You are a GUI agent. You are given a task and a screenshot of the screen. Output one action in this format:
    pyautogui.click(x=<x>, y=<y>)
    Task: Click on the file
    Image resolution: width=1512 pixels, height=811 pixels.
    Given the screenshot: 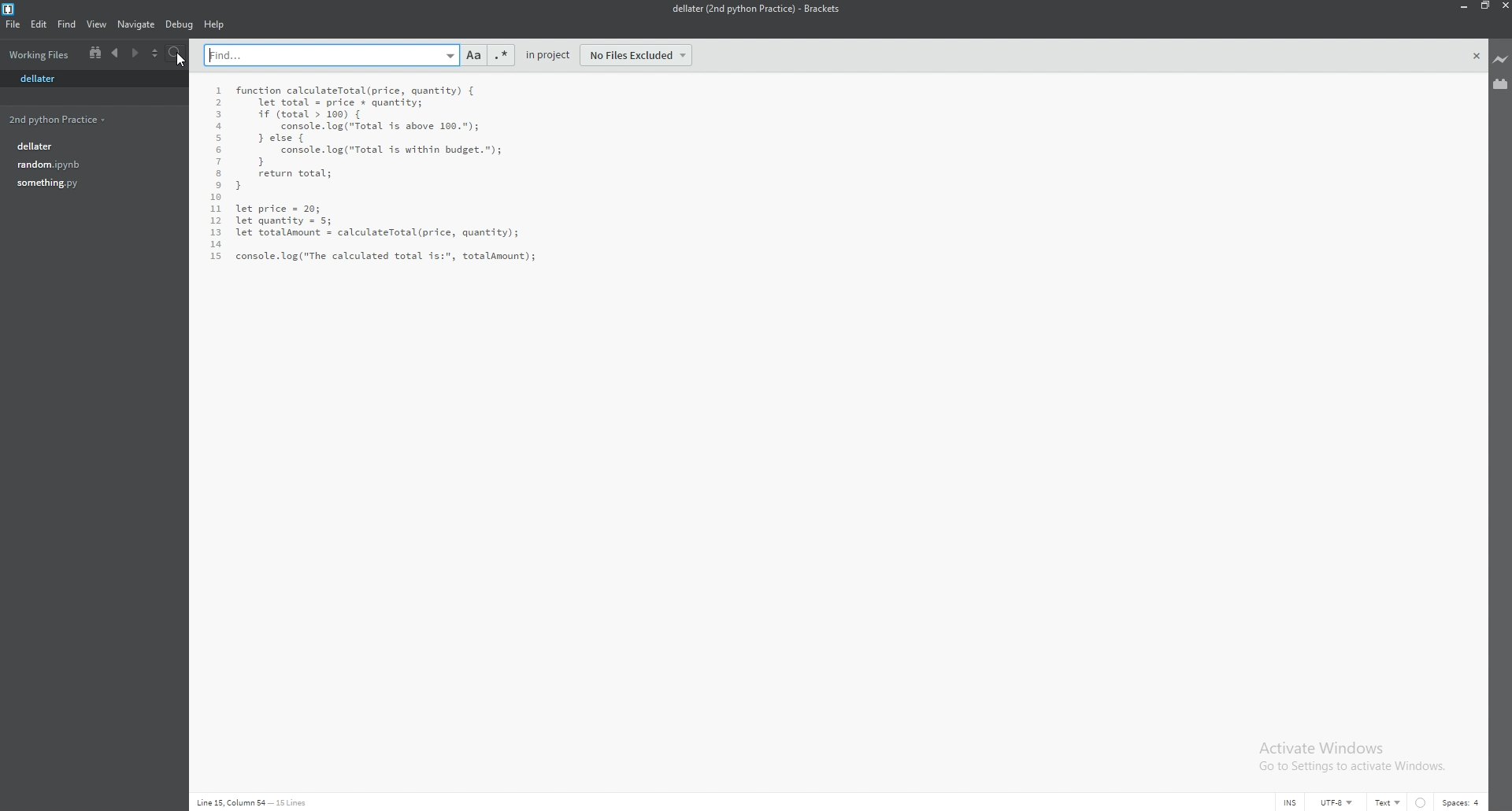 What is the action you would take?
    pyautogui.click(x=14, y=24)
    